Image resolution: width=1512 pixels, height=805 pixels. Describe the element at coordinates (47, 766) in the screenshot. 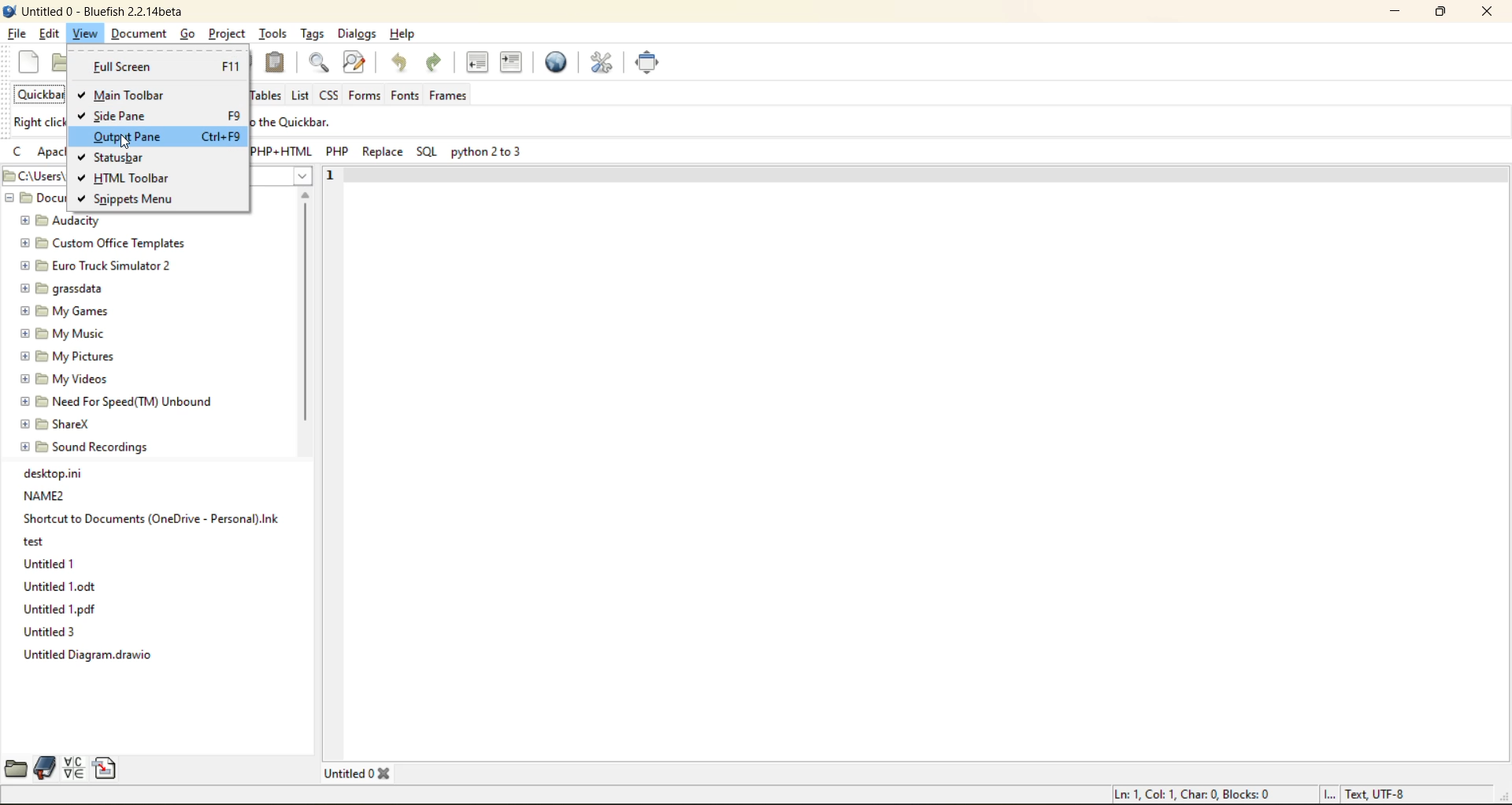

I see `bookmarks` at that location.